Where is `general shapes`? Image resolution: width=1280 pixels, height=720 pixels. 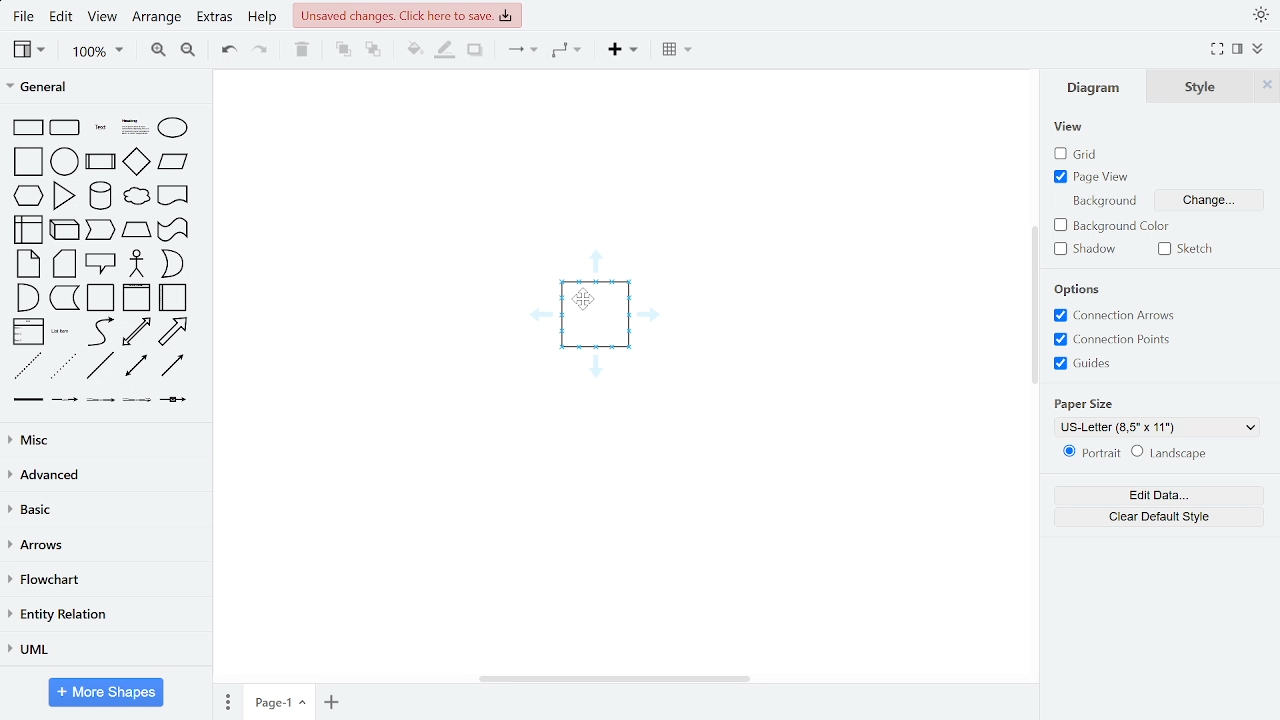
general shapes is located at coordinates (136, 331).